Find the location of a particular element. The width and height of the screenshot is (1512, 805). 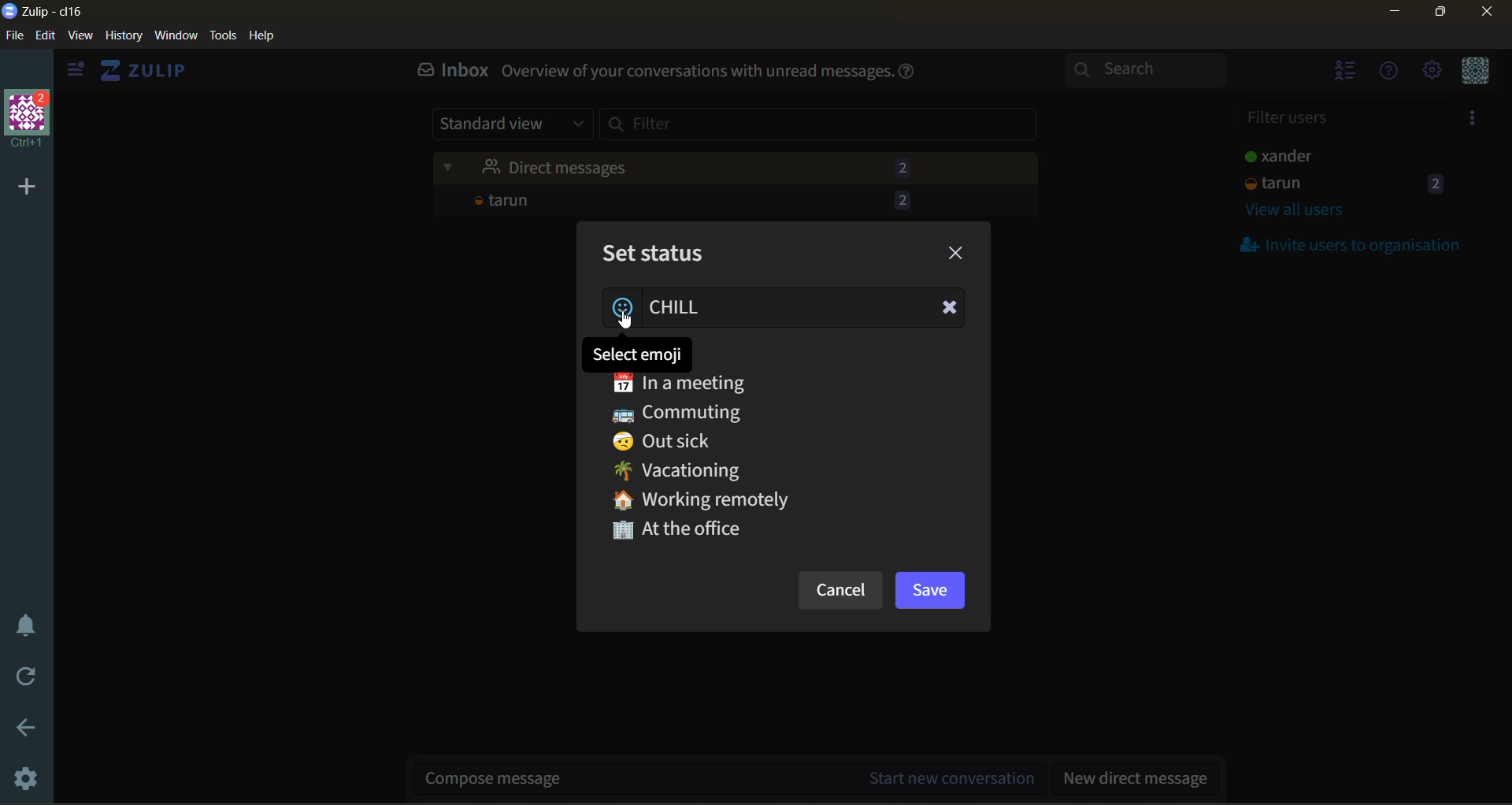

set status is located at coordinates (656, 254).